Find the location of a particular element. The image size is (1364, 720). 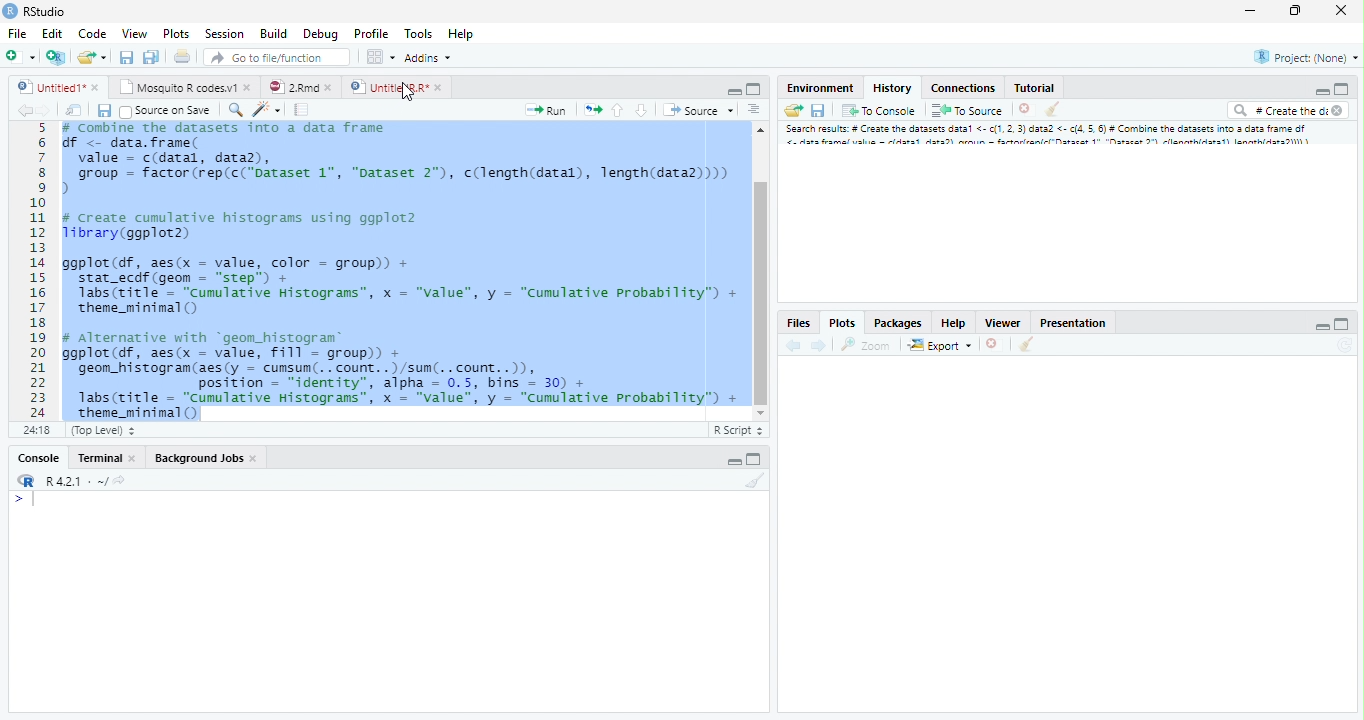

Connections is located at coordinates (964, 88).